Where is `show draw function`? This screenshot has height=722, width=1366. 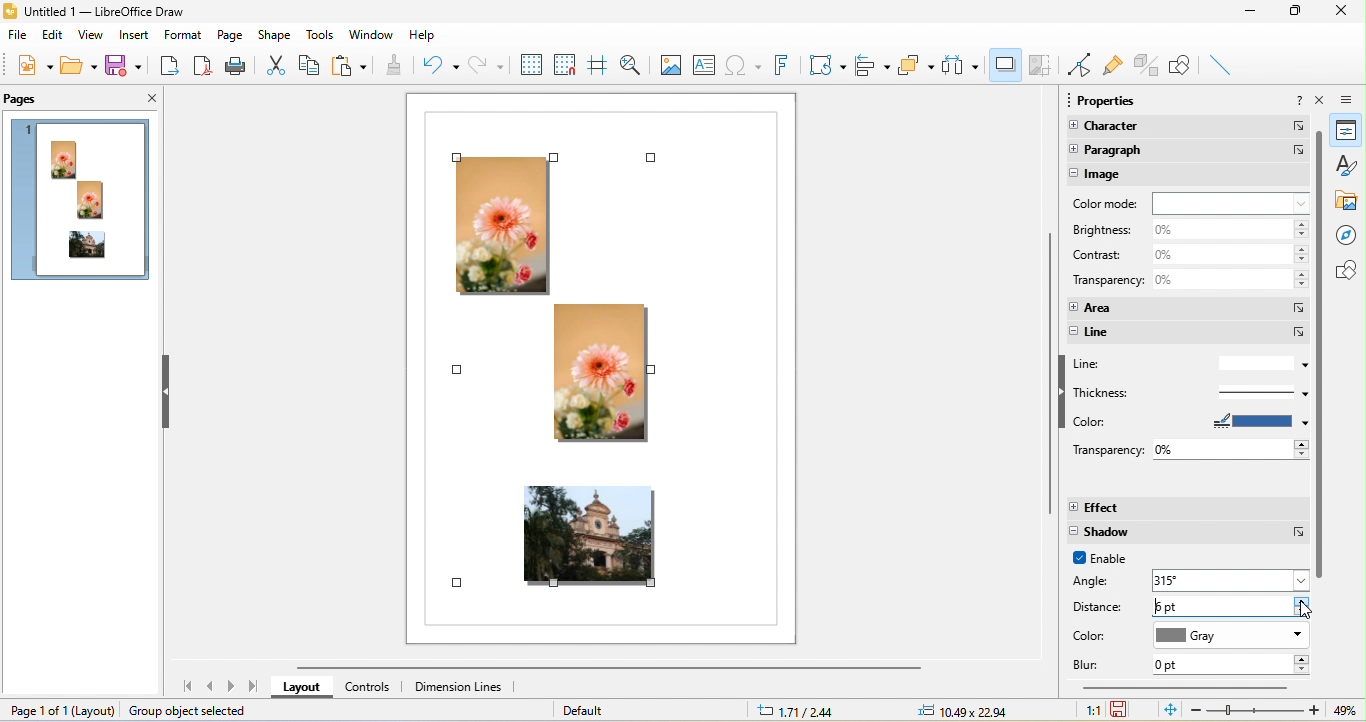 show draw function is located at coordinates (1184, 66).